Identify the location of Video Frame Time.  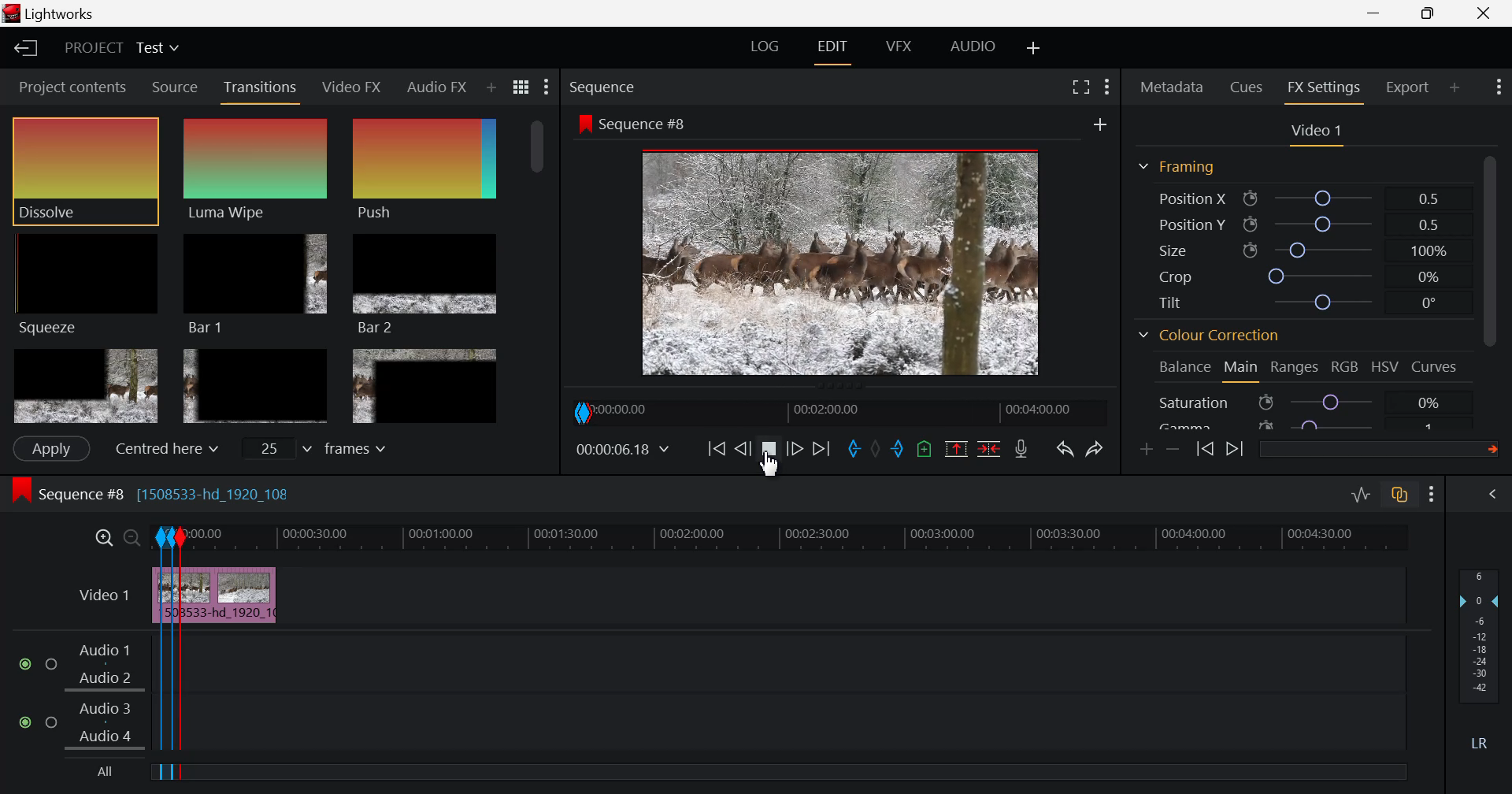
(624, 450).